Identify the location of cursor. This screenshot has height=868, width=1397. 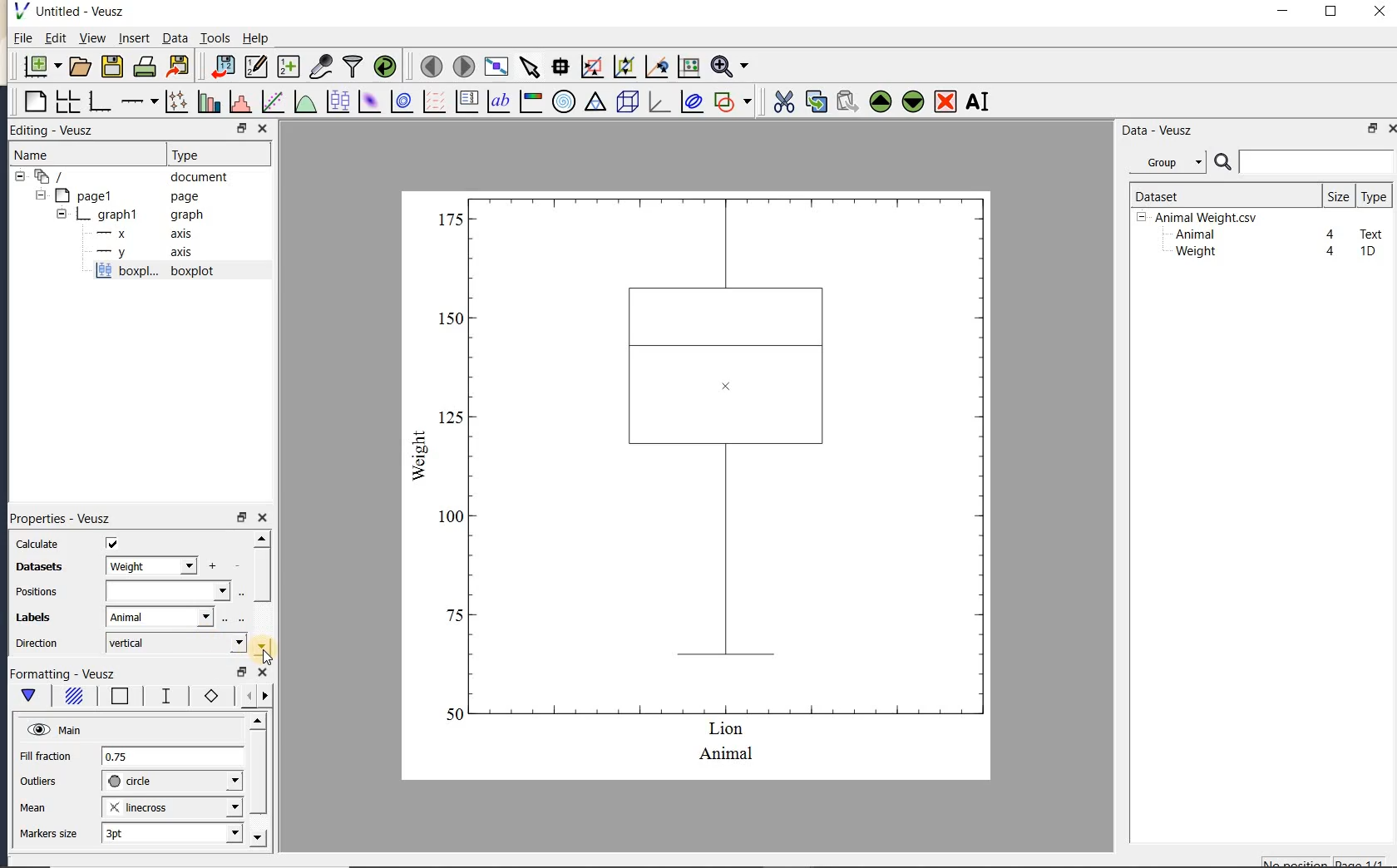
(268, 658).